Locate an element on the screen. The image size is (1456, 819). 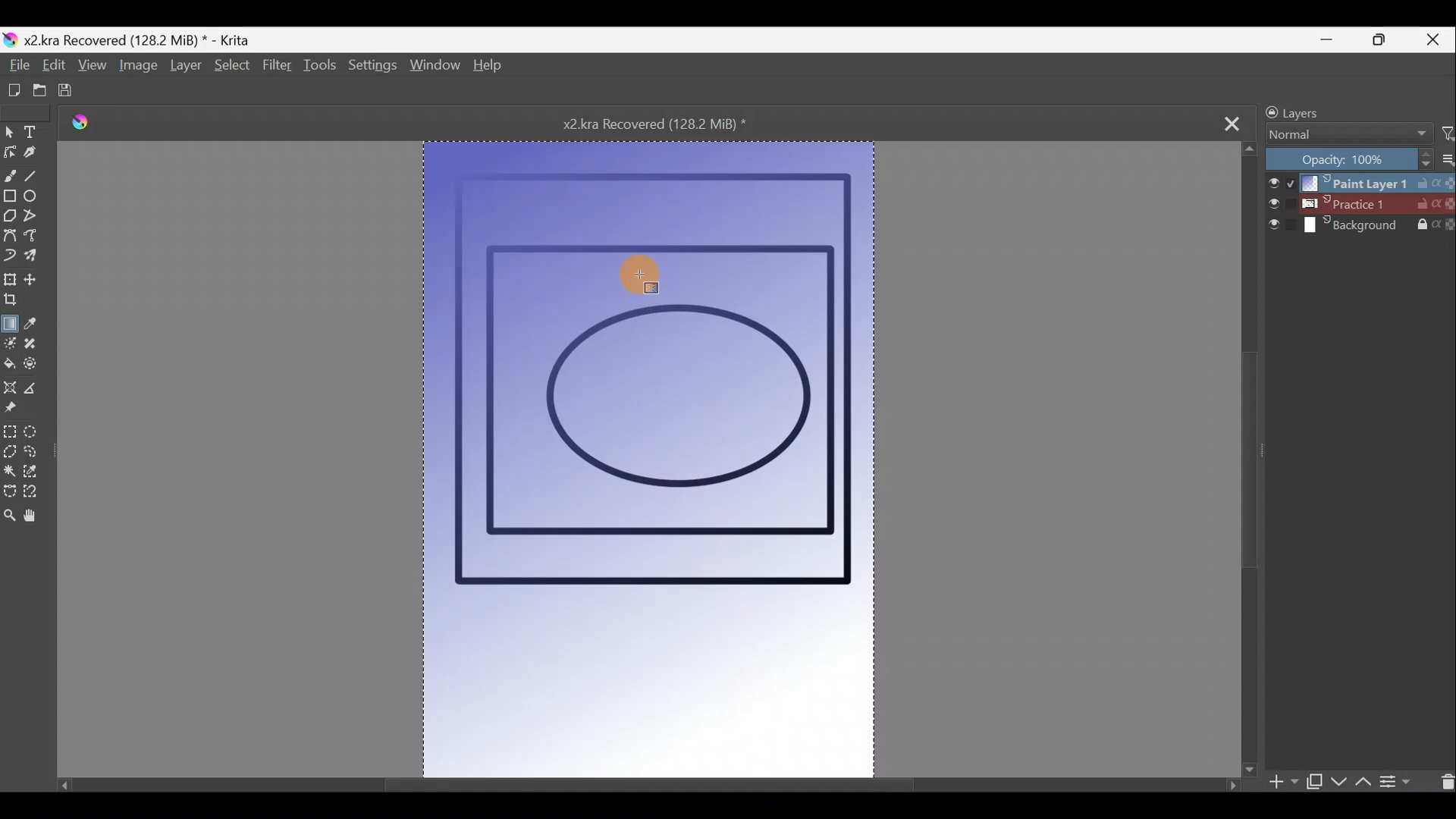
Filter is located at coordinates (277, 73).